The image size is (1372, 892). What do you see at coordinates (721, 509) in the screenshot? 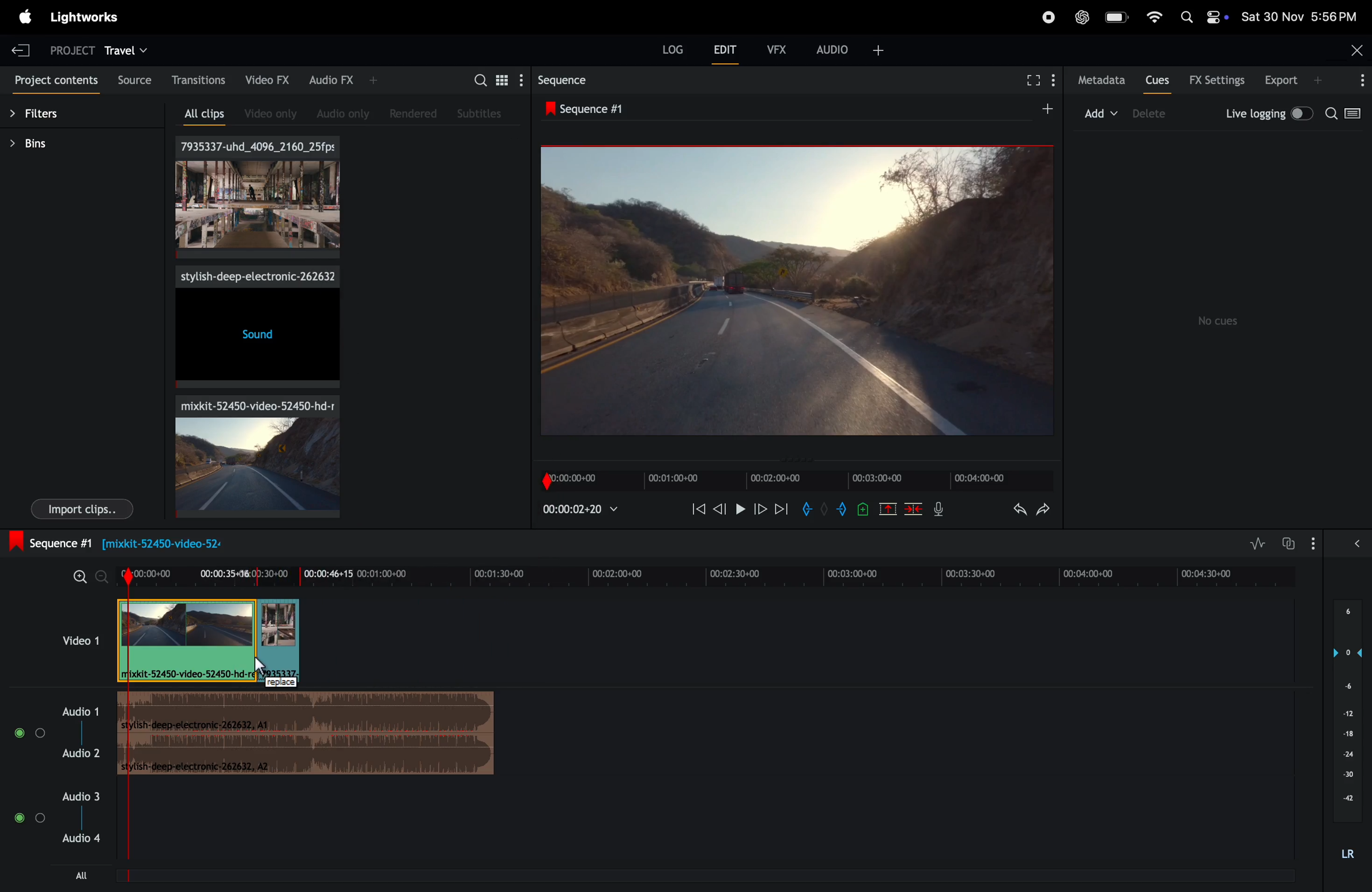
I see `previous frame` at bounding box center [721, 509].